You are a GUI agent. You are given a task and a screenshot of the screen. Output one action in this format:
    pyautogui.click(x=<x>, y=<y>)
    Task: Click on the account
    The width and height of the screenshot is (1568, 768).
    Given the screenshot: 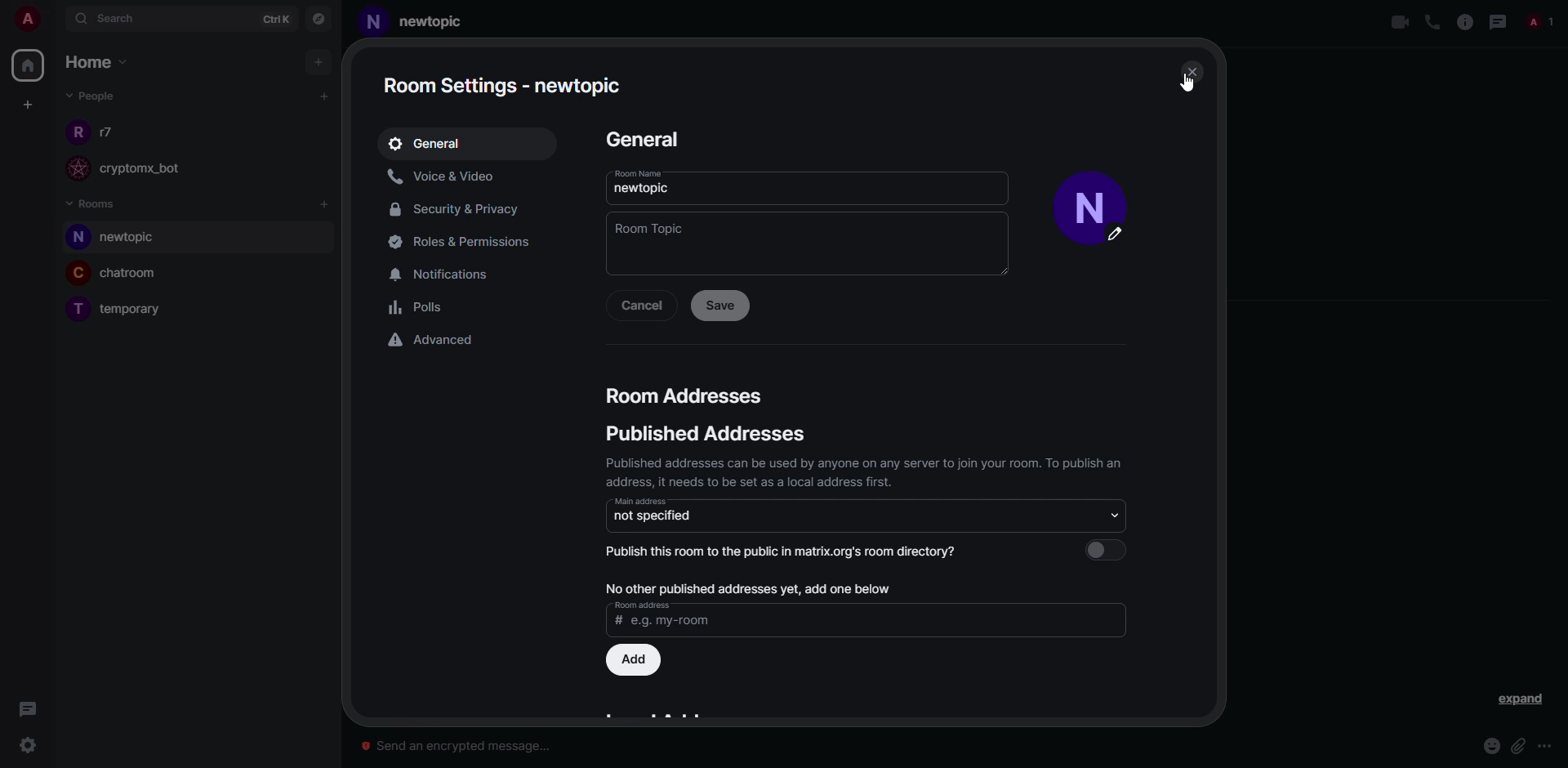 What is the action you would take?
    pyautogui.click(x=33, y=21)
    